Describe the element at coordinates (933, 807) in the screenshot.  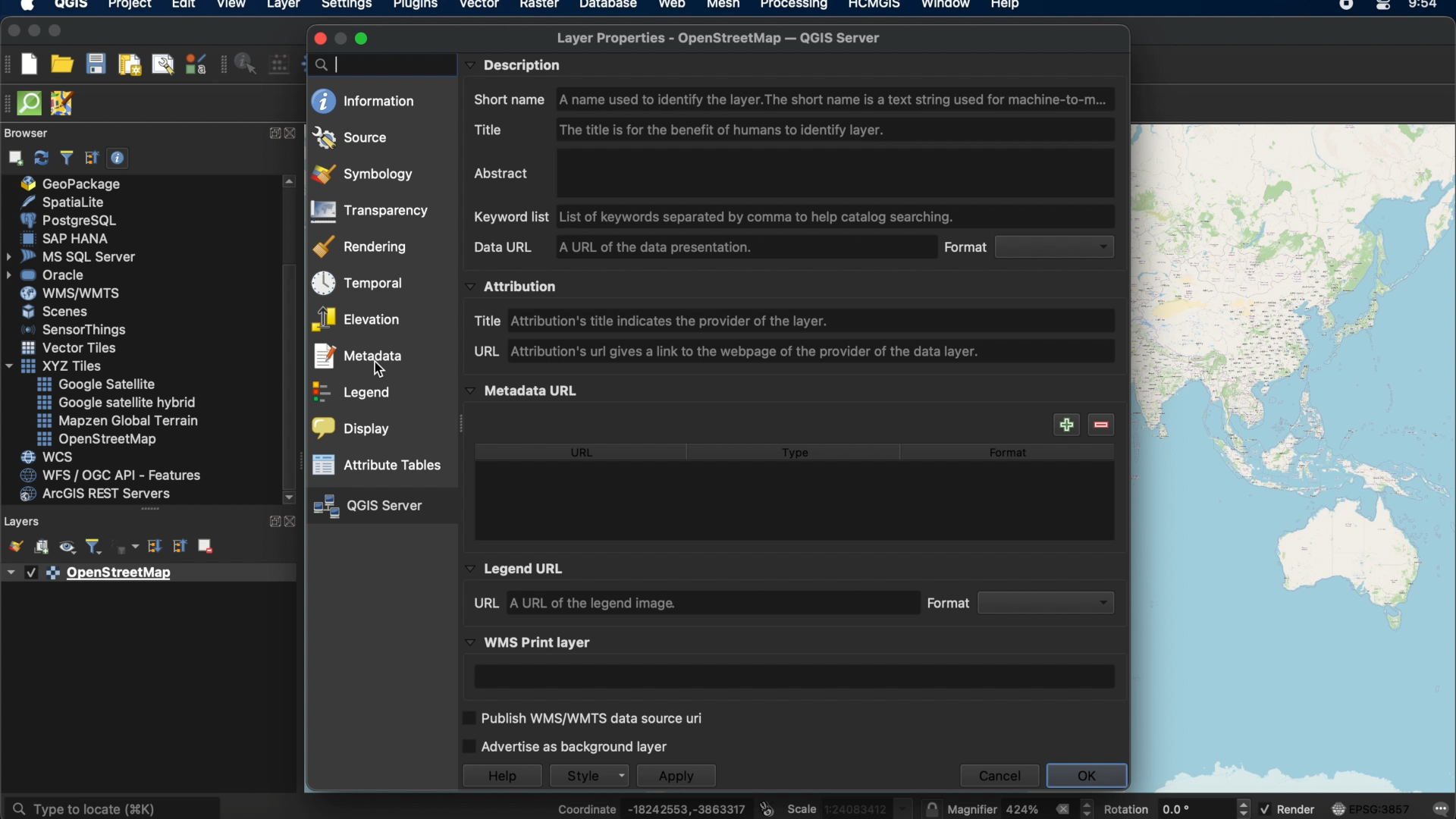
I see `lock scale` at that location.